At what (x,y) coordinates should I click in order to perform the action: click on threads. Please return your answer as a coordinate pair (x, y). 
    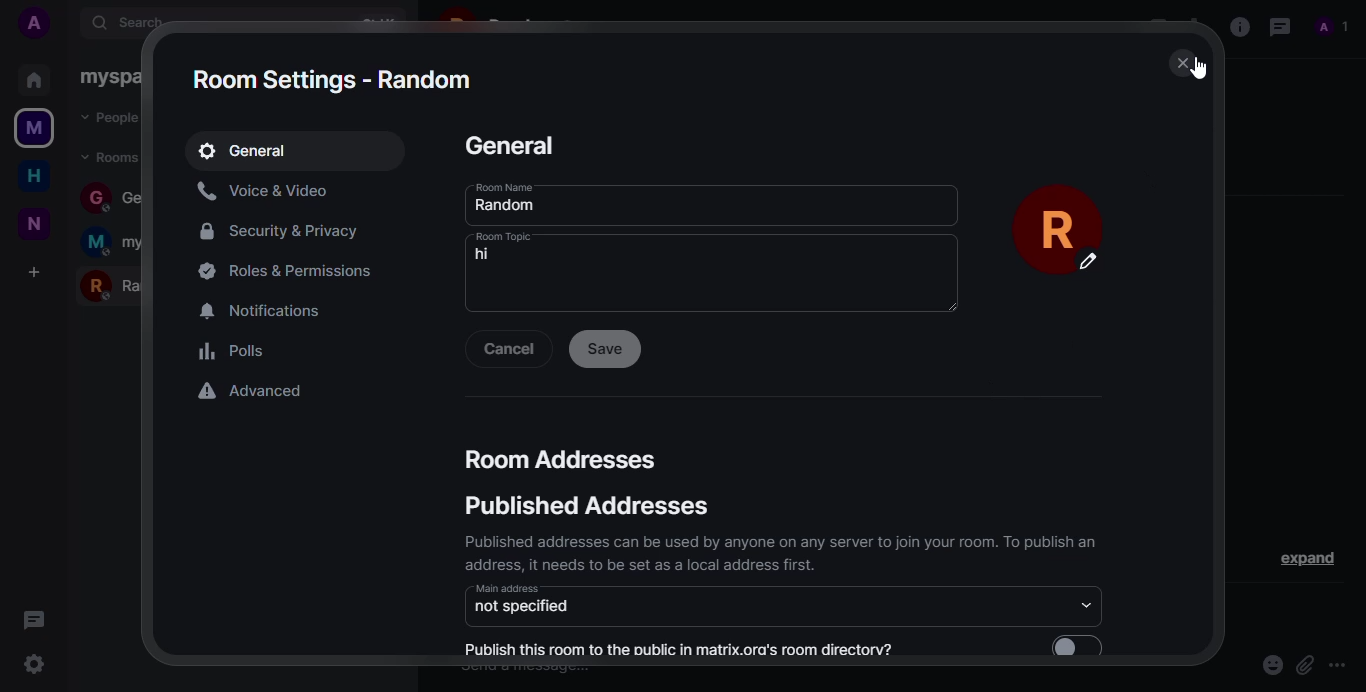
    Looking at the image, I should click on (1279, 28).